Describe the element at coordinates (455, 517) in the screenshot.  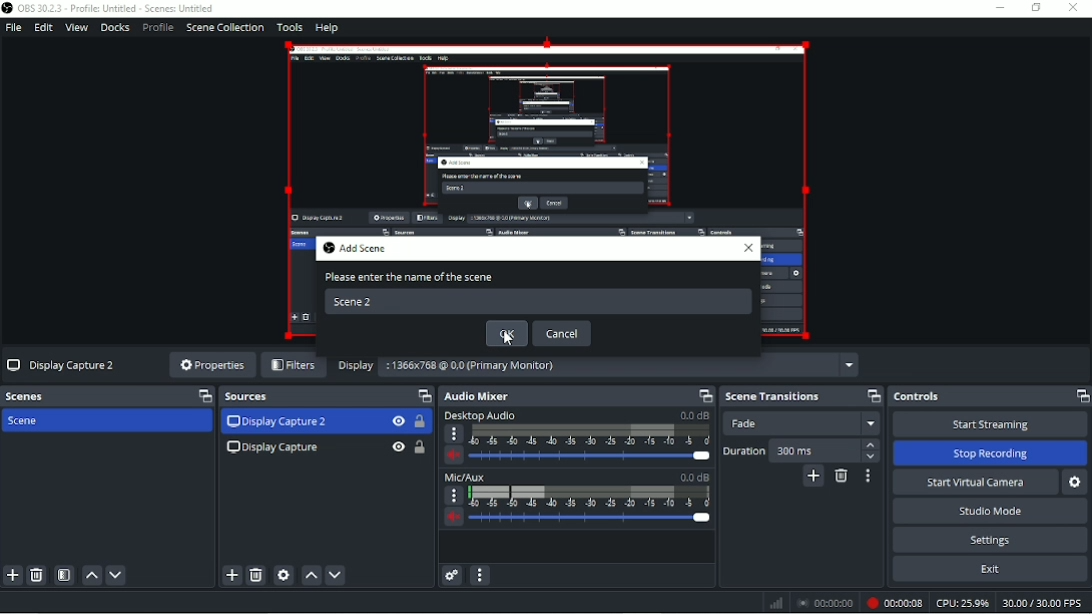
I see `Volume` at that location.